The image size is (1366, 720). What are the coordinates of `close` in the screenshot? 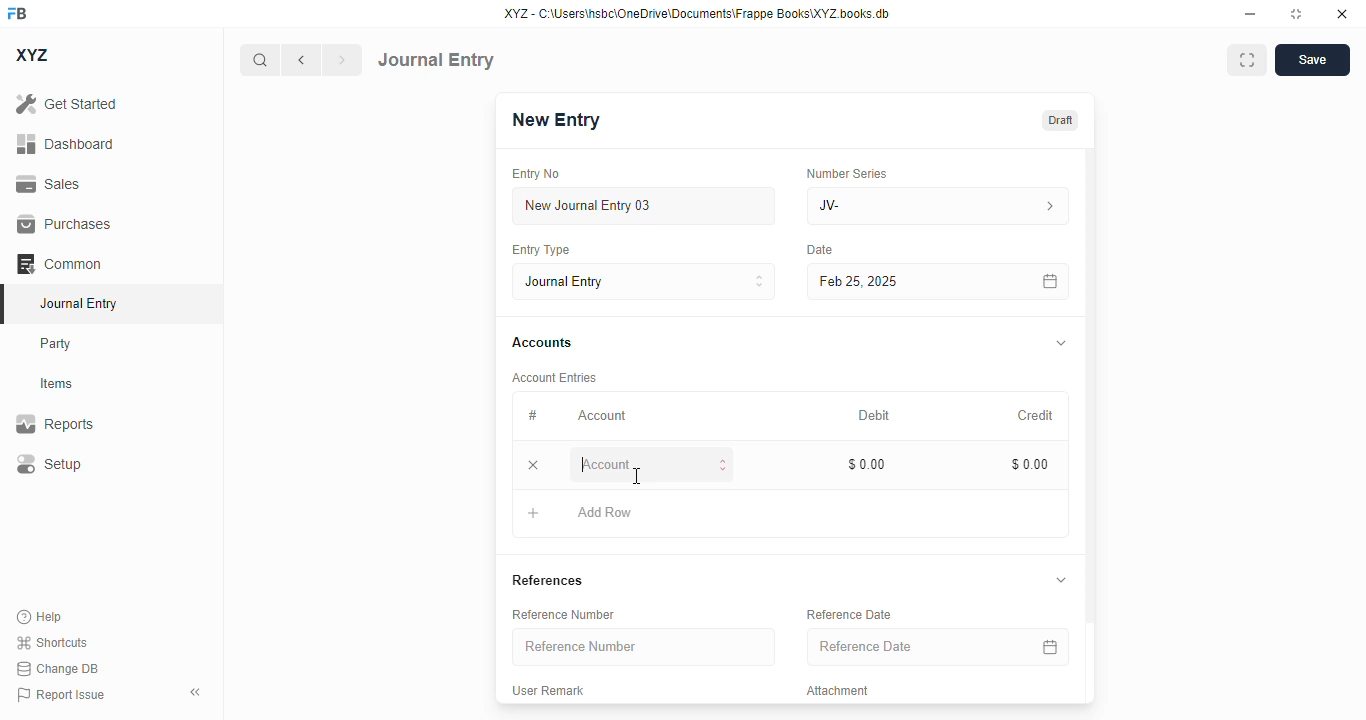 It's located at (1342, 13).